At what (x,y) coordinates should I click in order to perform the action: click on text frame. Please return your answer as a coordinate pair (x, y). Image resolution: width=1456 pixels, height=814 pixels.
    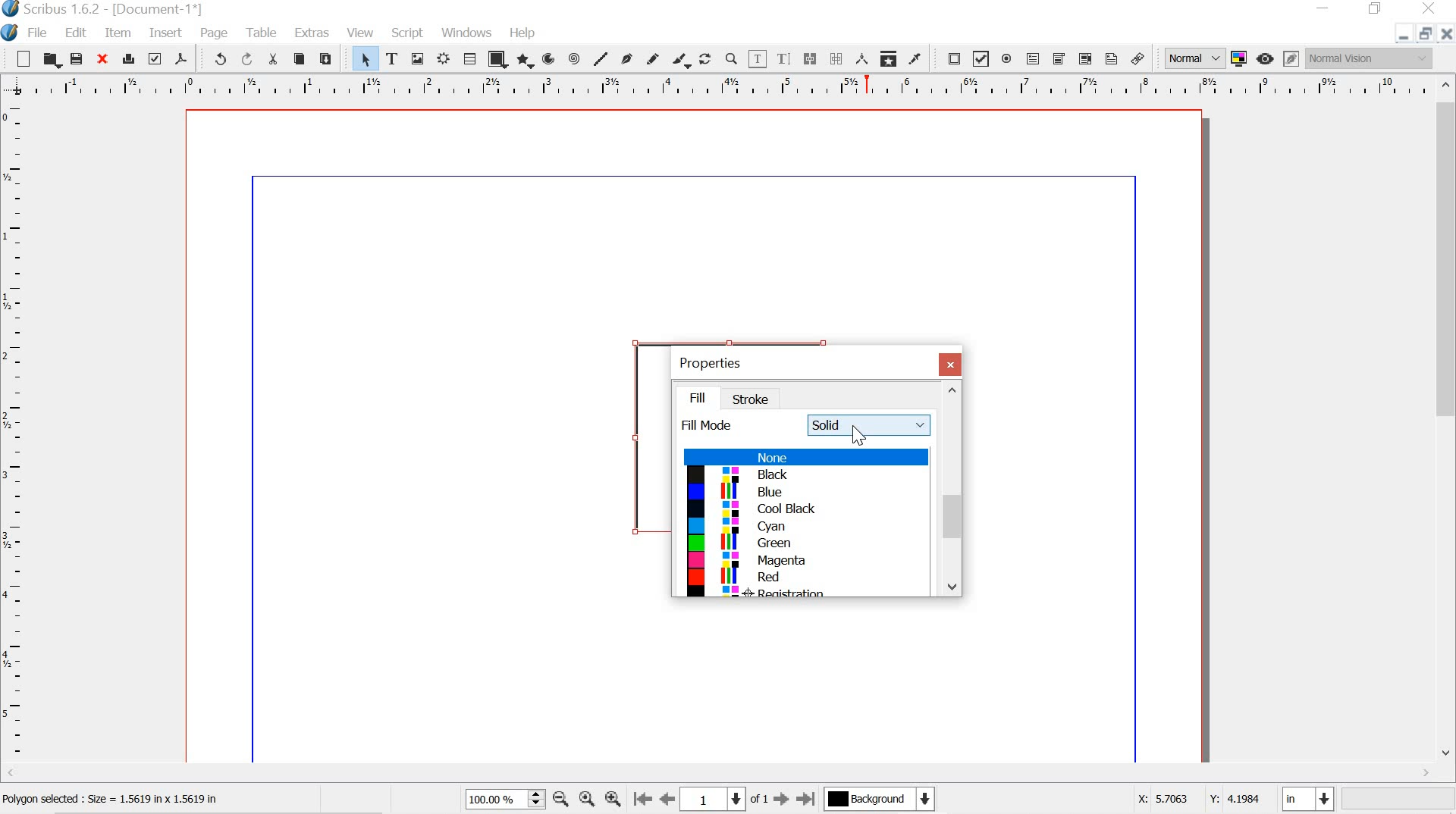
    Looking at the image, I should click on (392, 57).